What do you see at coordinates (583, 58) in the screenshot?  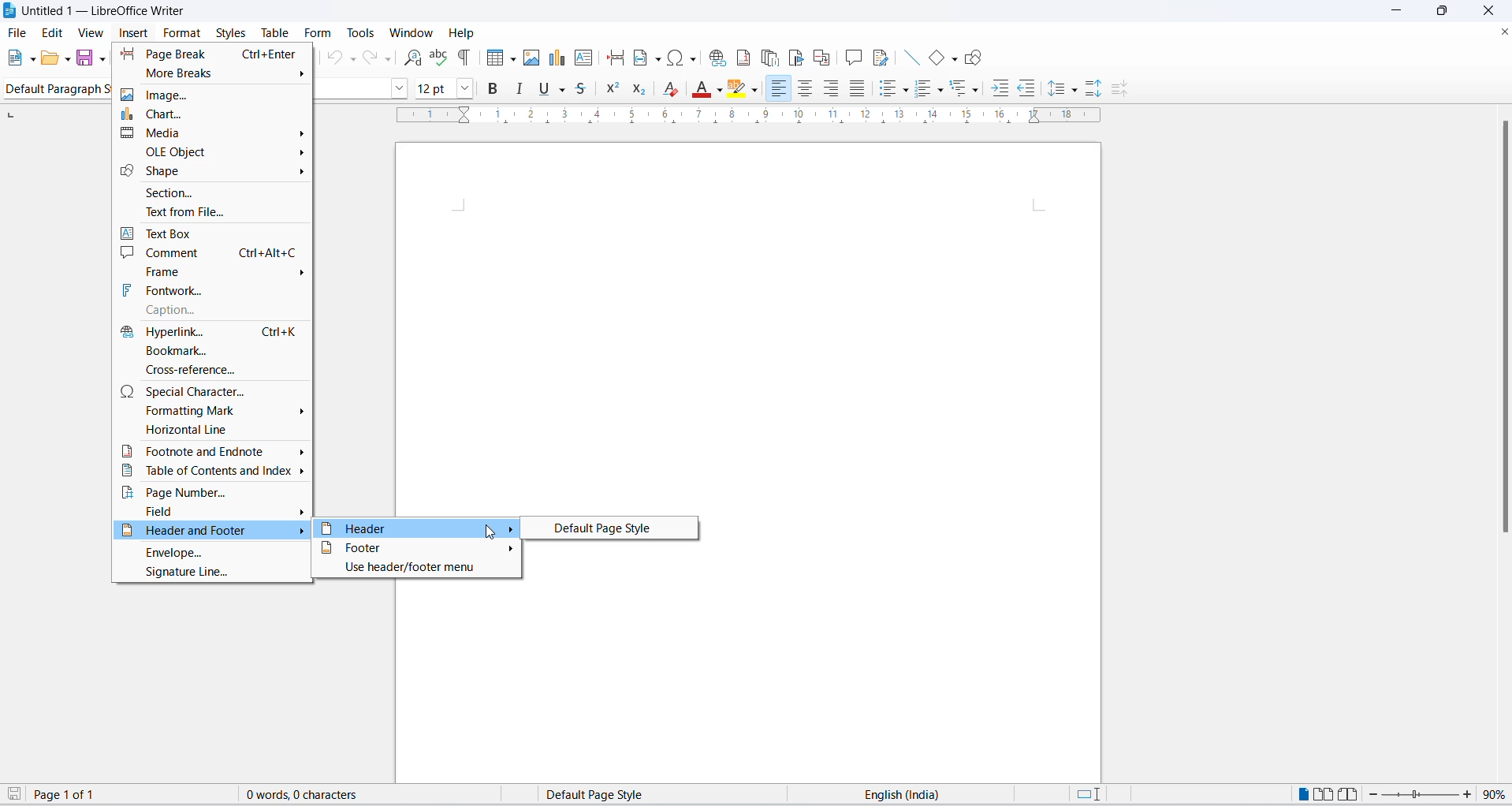 I see `insert text` at bounding box center [583, 58].